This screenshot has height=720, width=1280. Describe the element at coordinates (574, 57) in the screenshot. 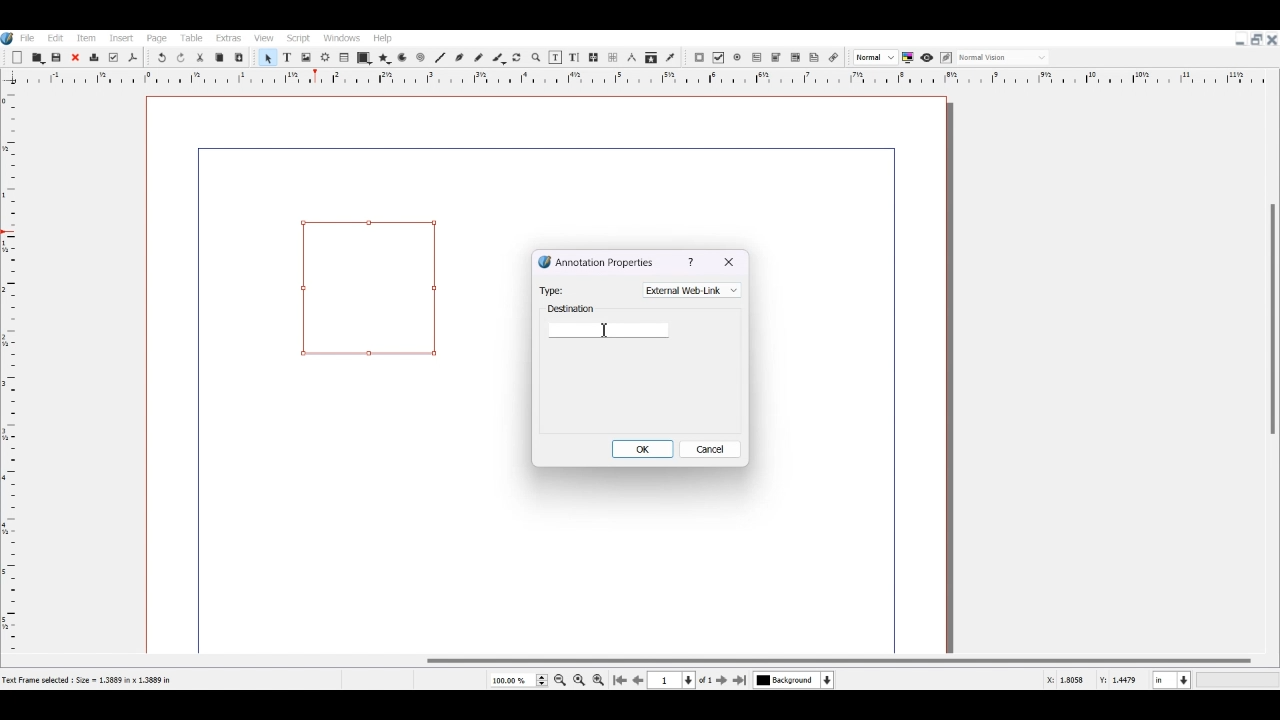

I see `Edit Text` at that location.